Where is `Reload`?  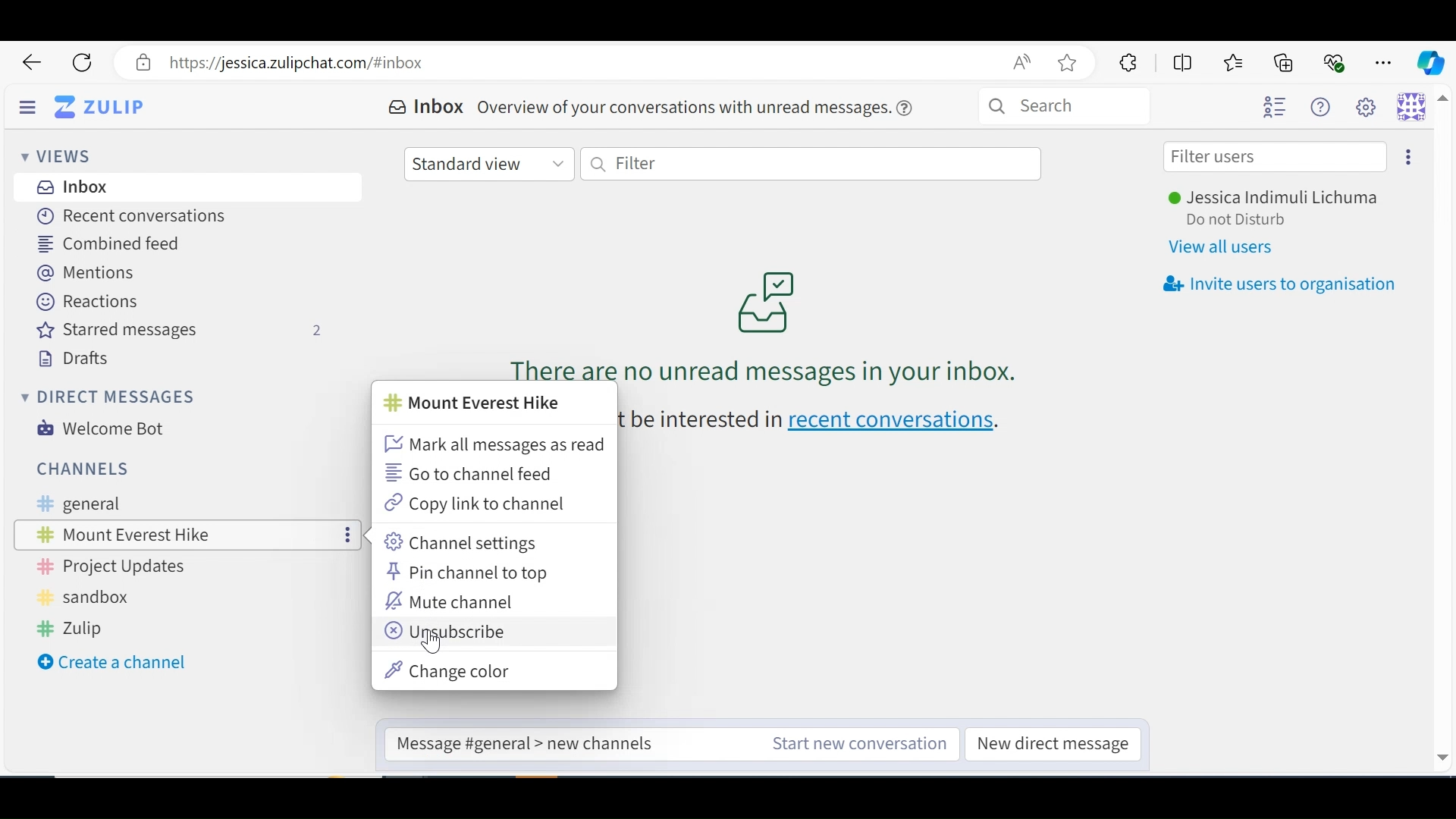
Reload is located at coordinates (83, 63).